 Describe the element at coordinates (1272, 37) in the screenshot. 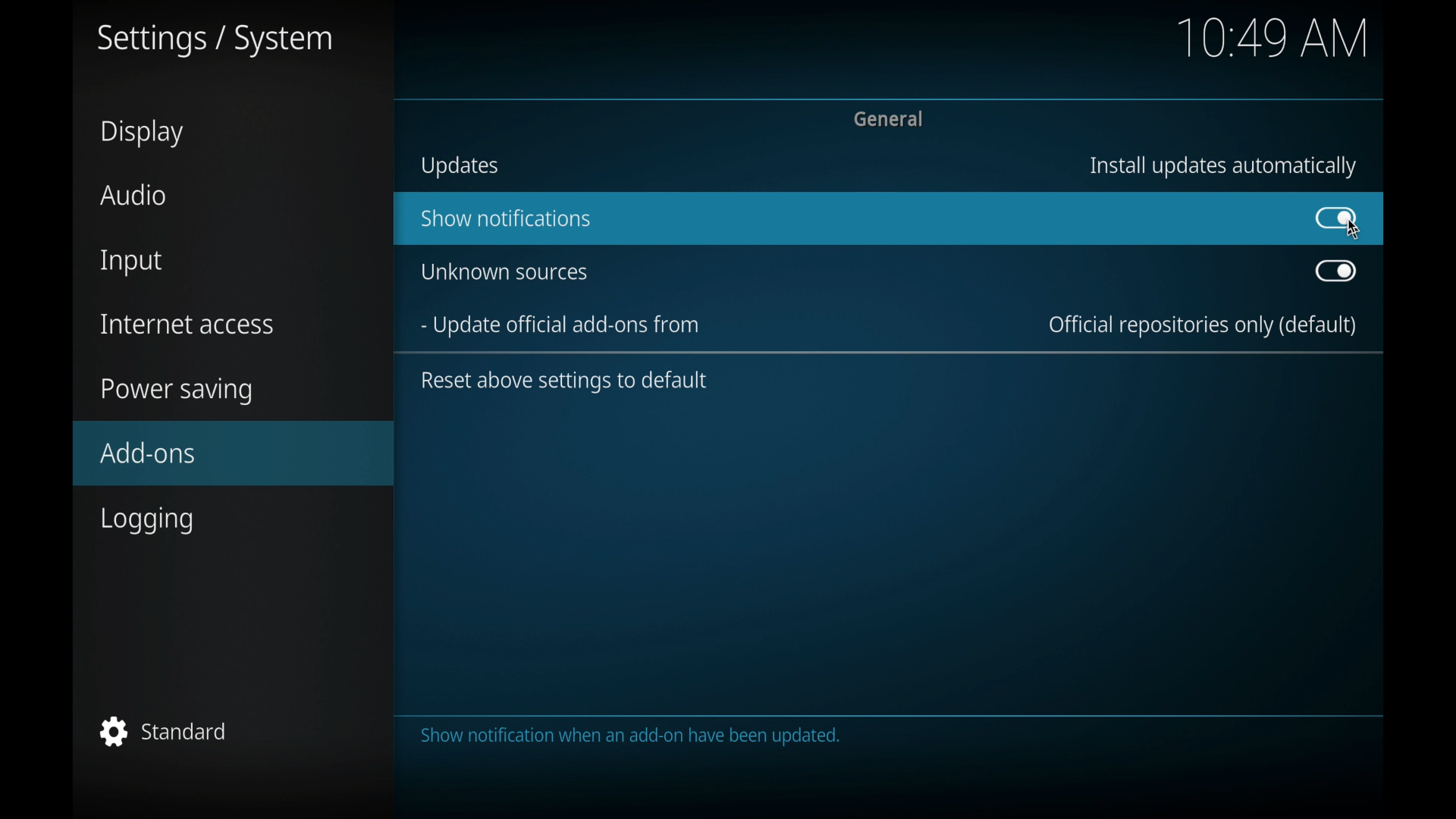

I see `10.48 am` at that location.